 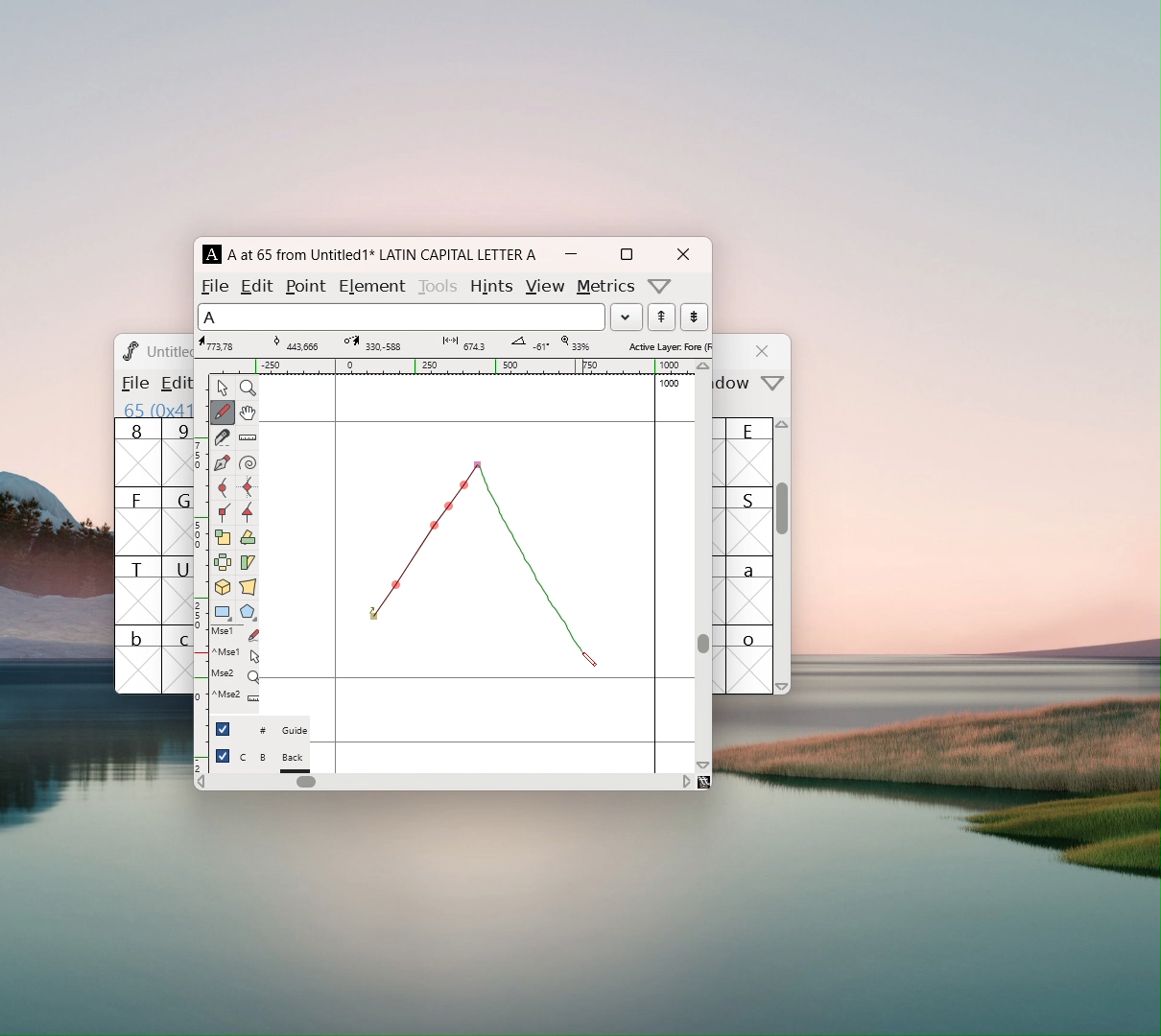 What do you see at coordinates (248, 589) in the screenshot?
I see `perspective transformation` at bounding box center [248, 589].